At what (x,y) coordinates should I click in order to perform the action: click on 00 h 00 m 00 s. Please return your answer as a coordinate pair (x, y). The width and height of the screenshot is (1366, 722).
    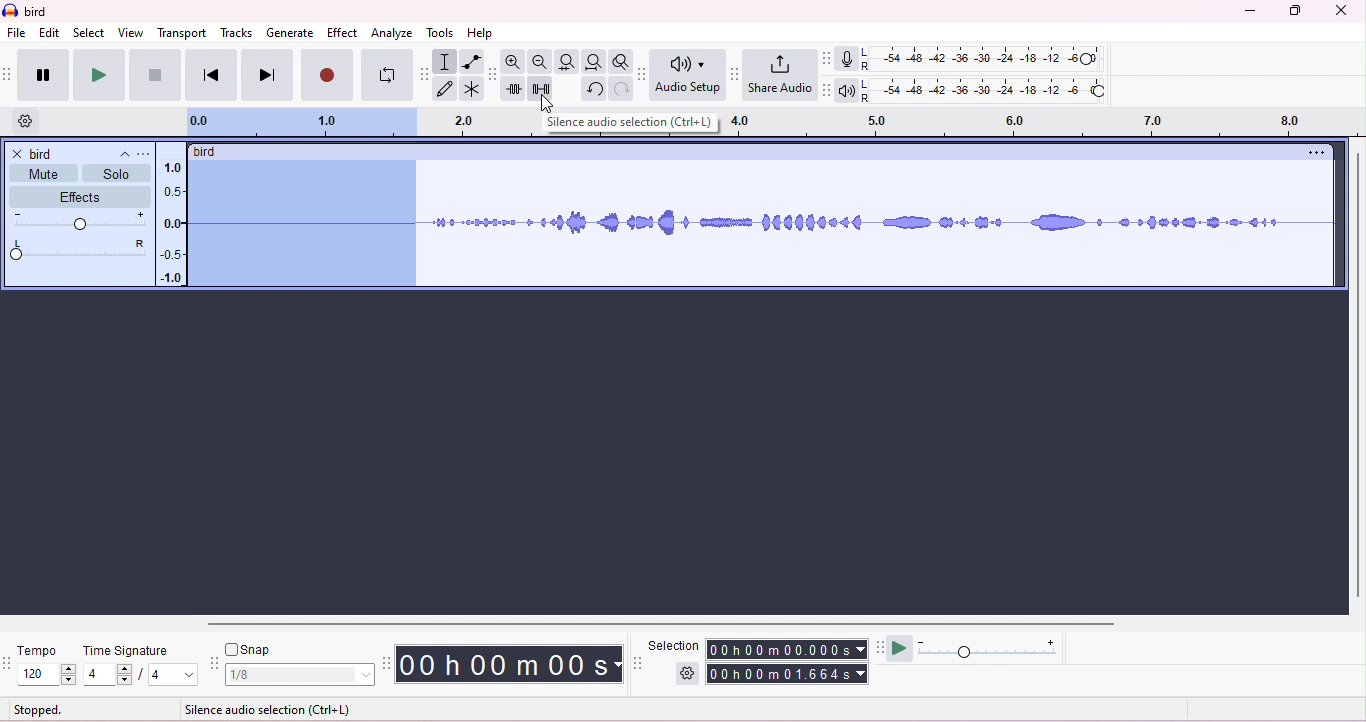
    Looking at the image, I should click on (512, 663).